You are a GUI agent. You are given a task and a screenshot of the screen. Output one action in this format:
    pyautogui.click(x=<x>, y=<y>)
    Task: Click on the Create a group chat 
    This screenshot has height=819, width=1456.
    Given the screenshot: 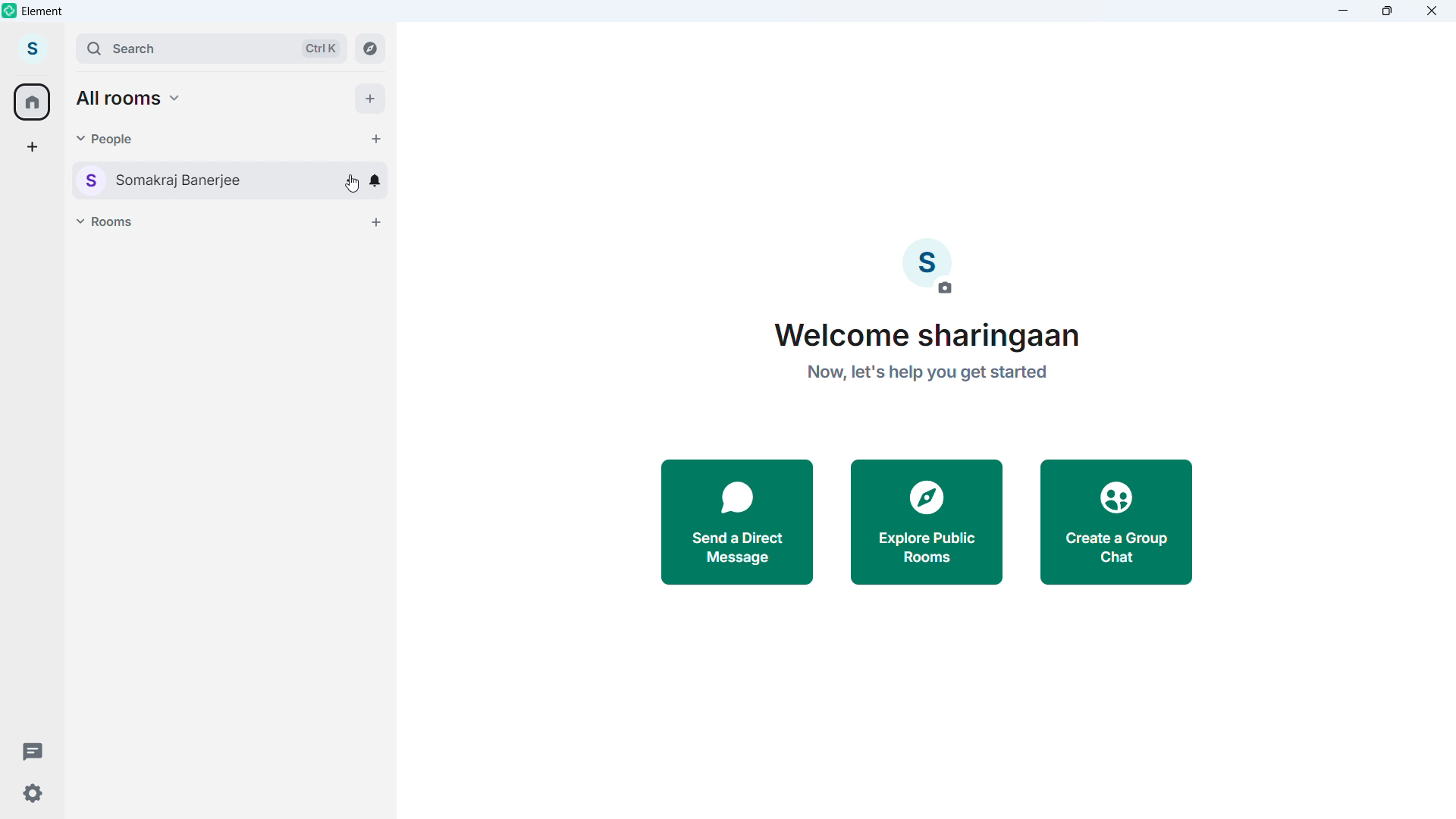 What is the action you would take?
    pyautogui.click(x=1119, y=522)
    